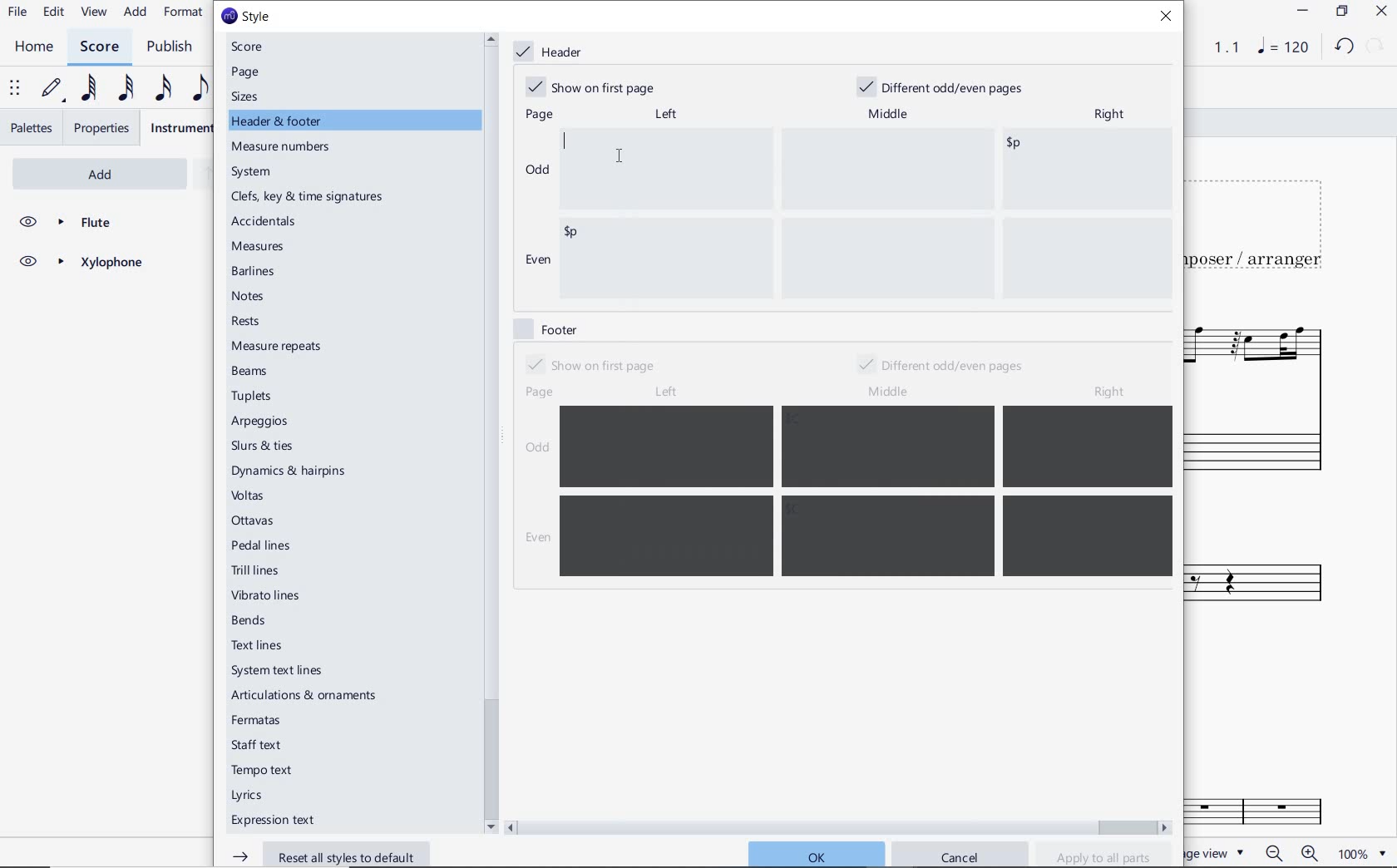 The height and width of the screenshot is (868, 1397). Describe the element at coordinates (98, 46) in the screenshot. I see `SCORE` at that location.